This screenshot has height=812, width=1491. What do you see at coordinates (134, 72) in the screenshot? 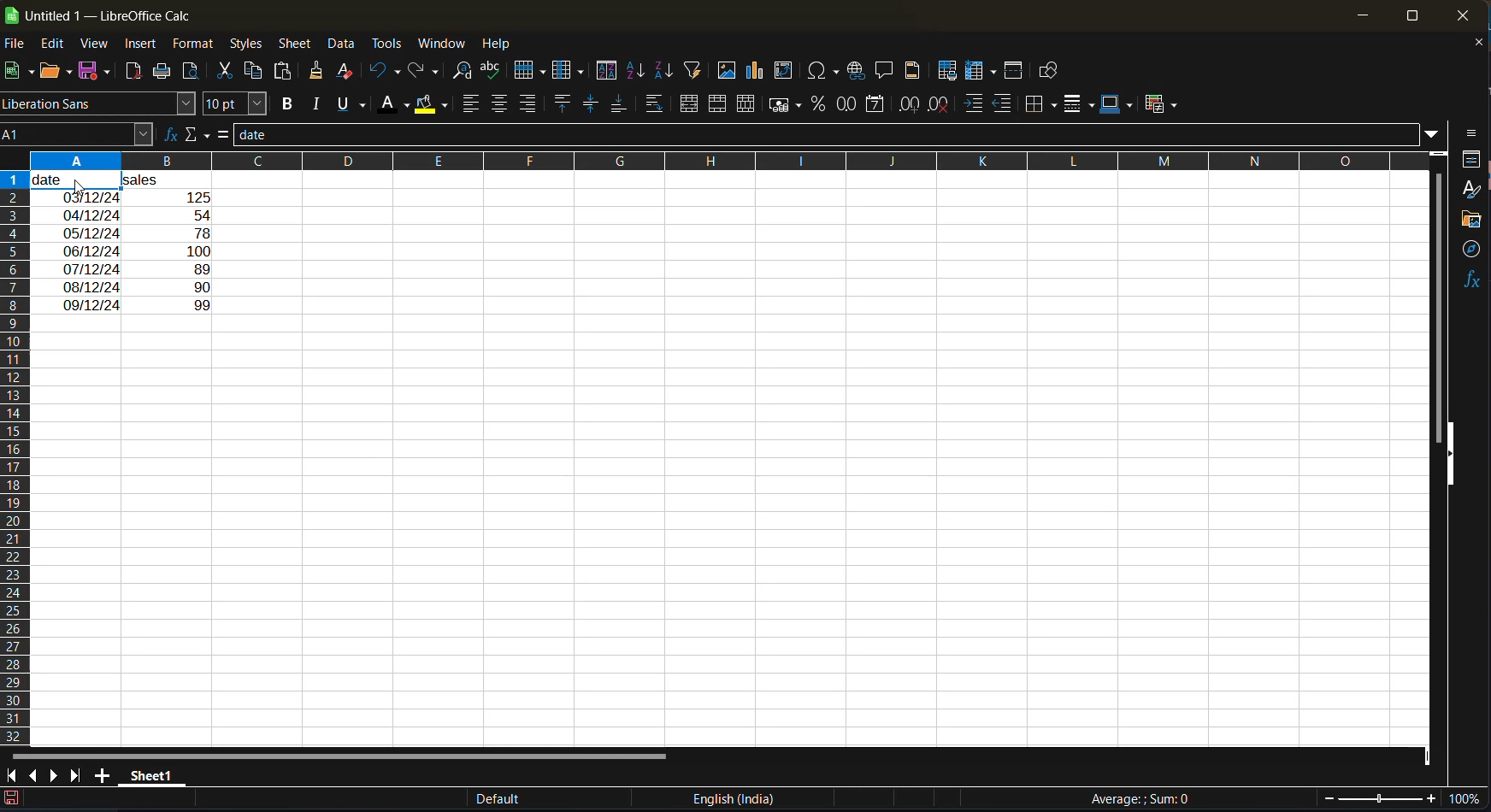
I see `export directly as pdf` at bounding box center [134, 72].